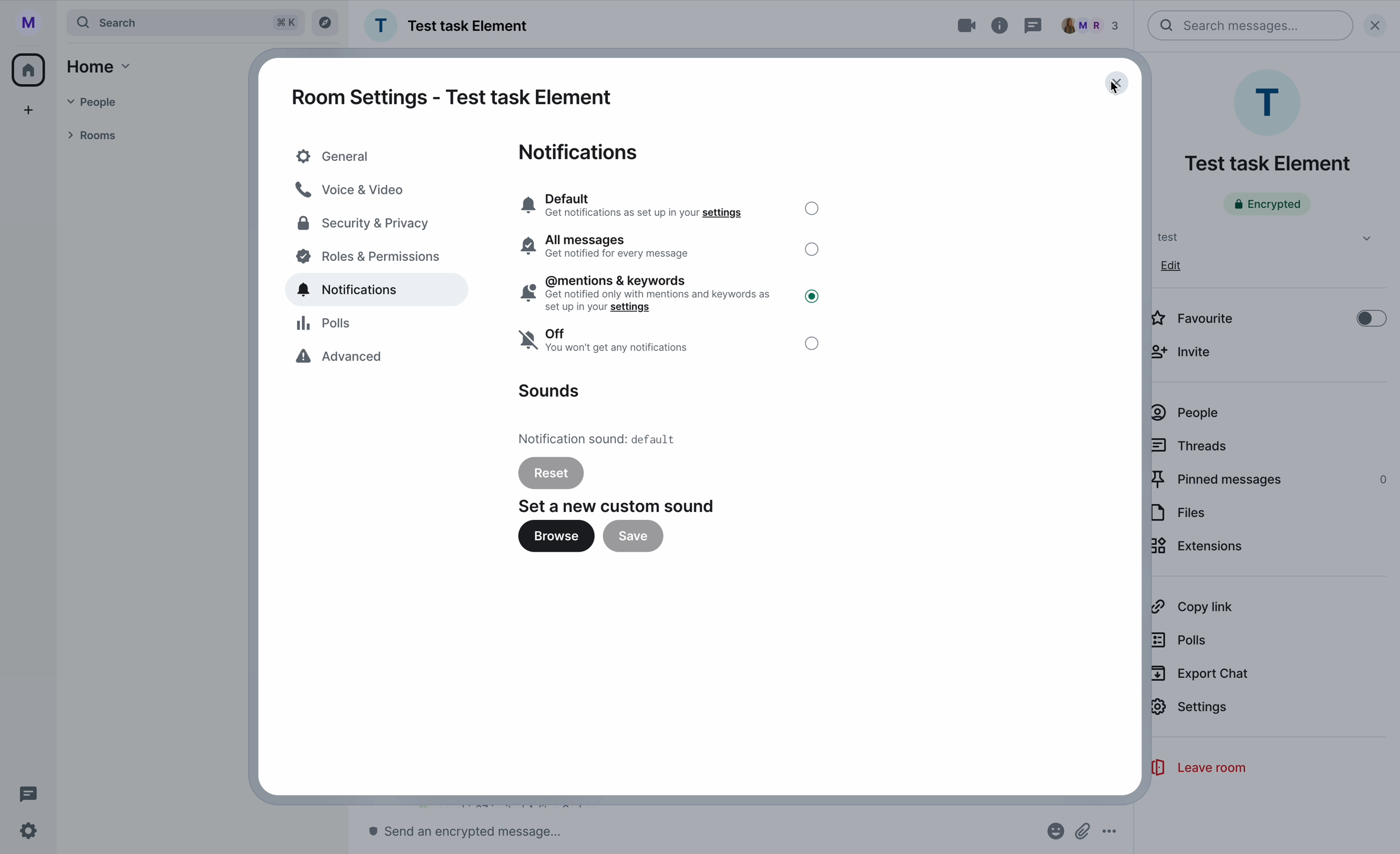  What do you see at coordinates (365, 225) in the screenshot?
I see `security and privacy` at bounding box center [365, 225].